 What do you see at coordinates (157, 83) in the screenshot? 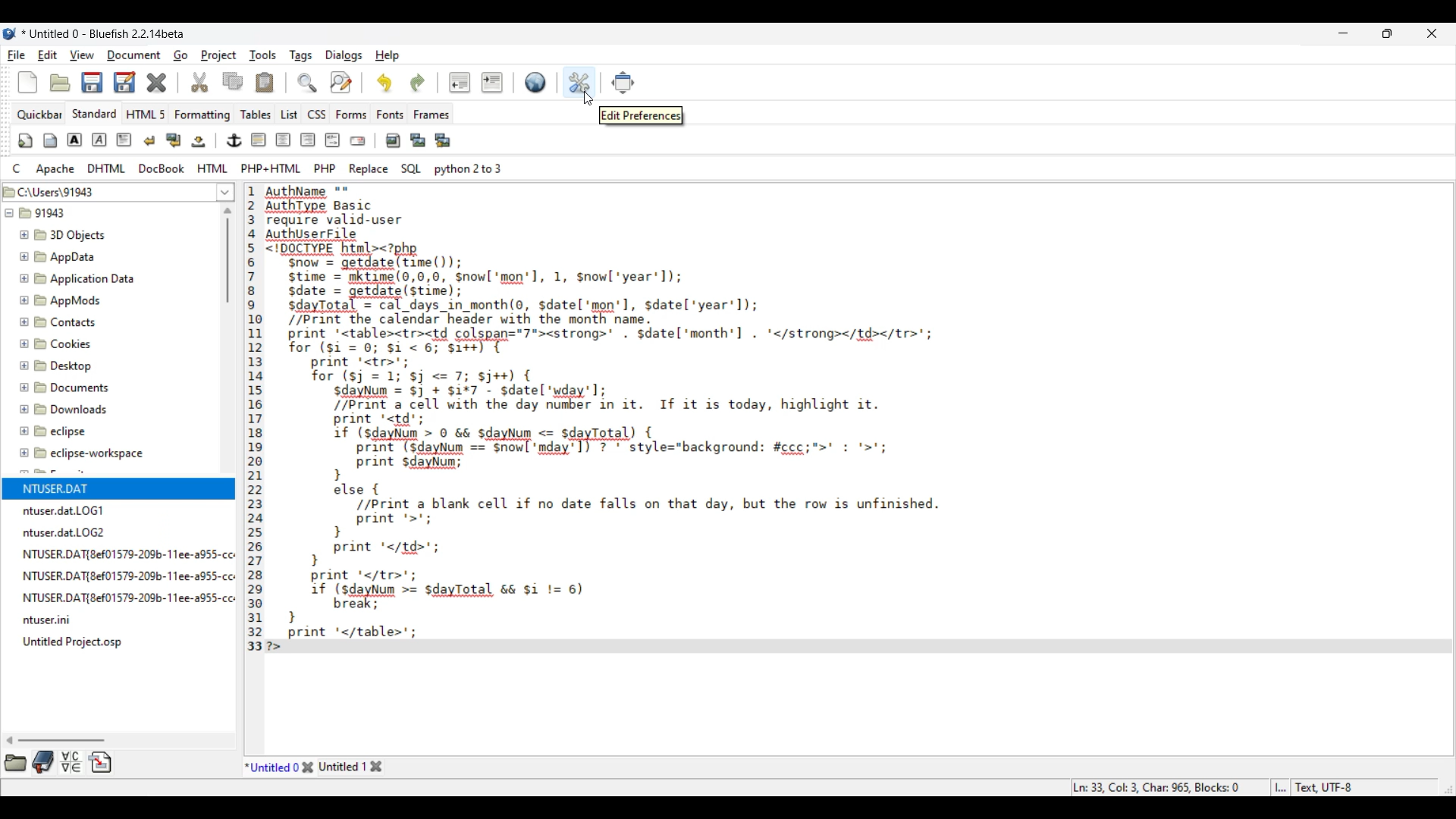
I see `Close` at bounding box center [157, 83].